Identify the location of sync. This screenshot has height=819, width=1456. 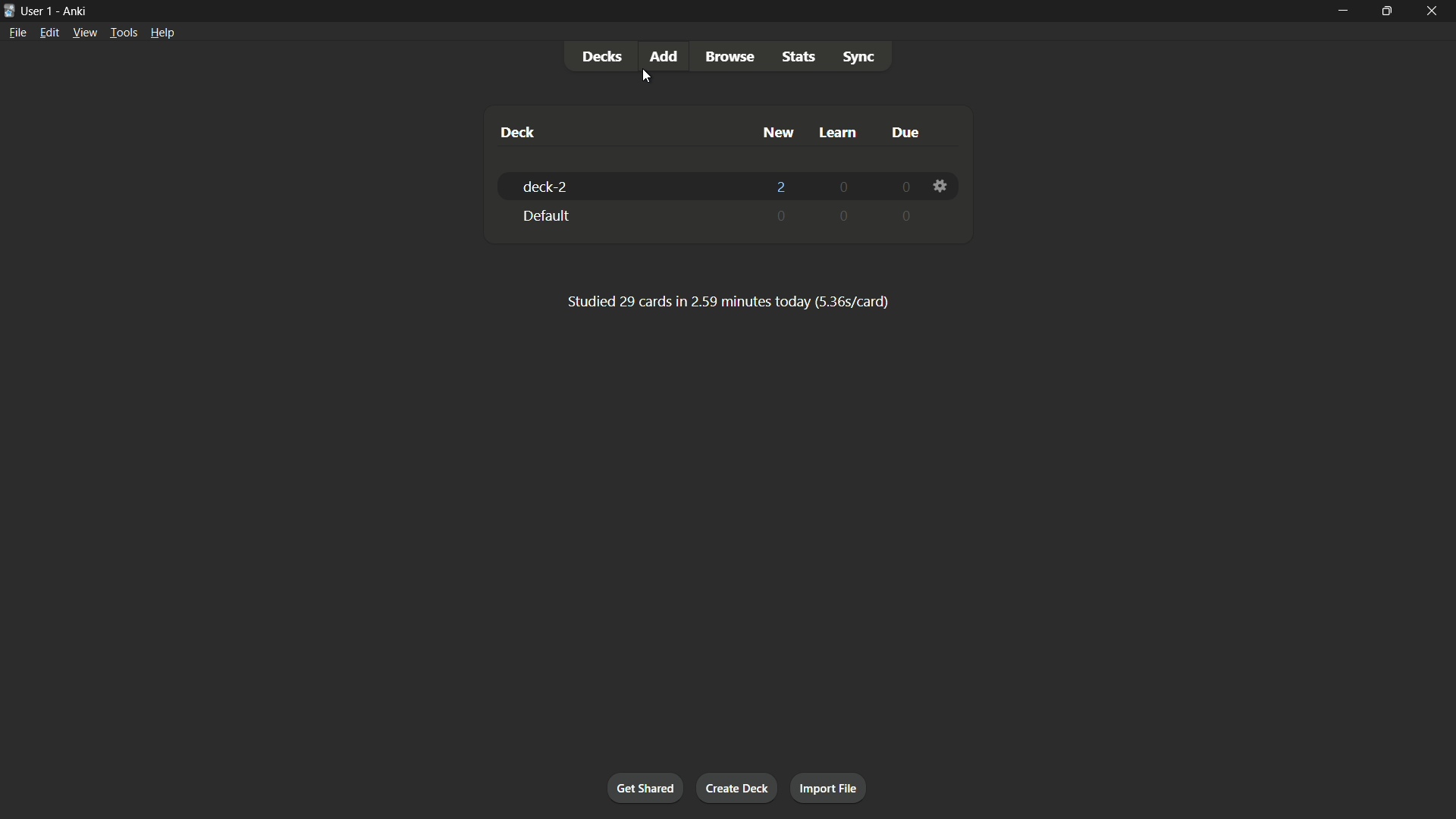
(861, 58).